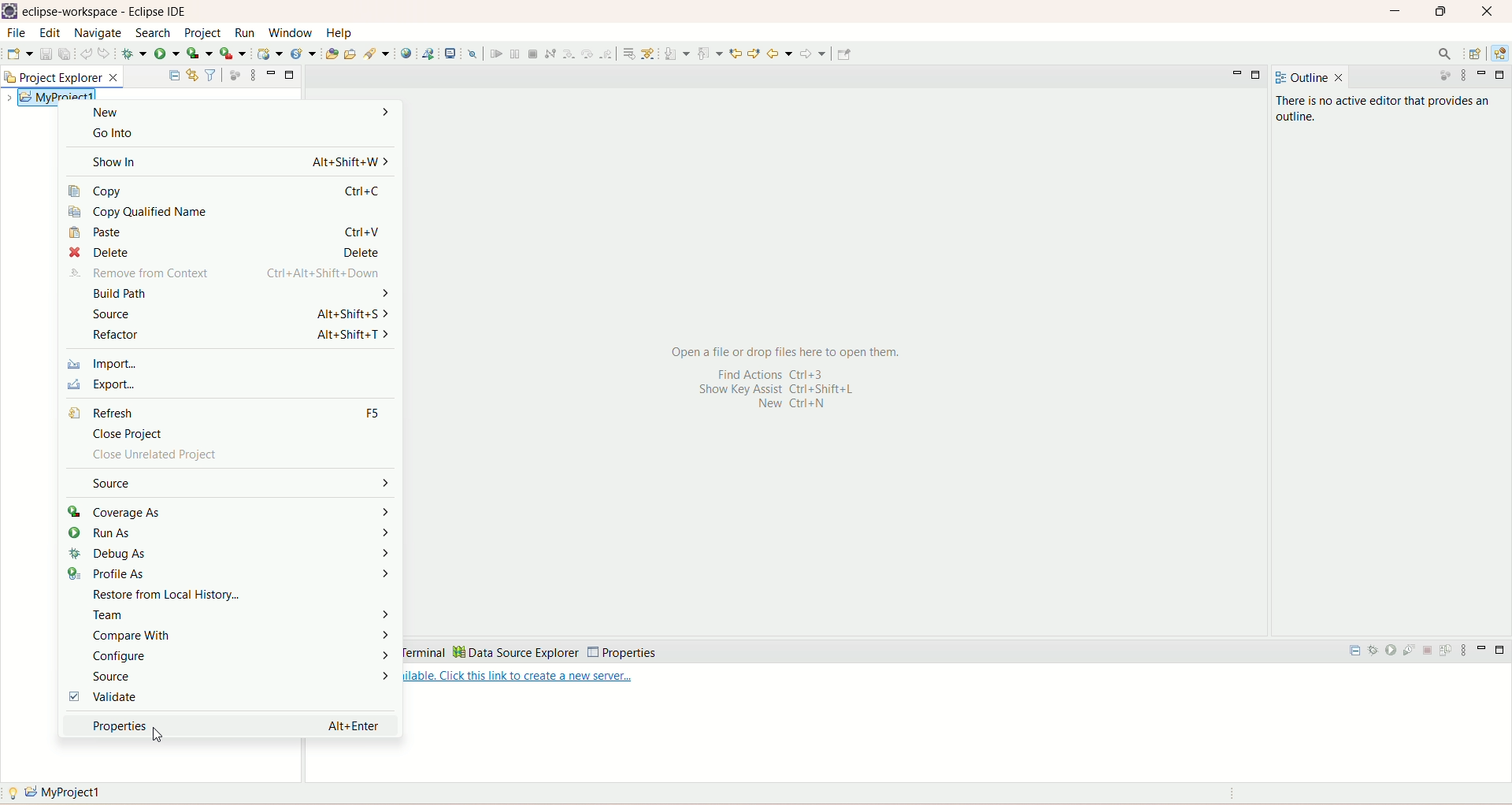 This screenshot has width=1512, height=805. I want to click on open perspective, so click(1475, 53).